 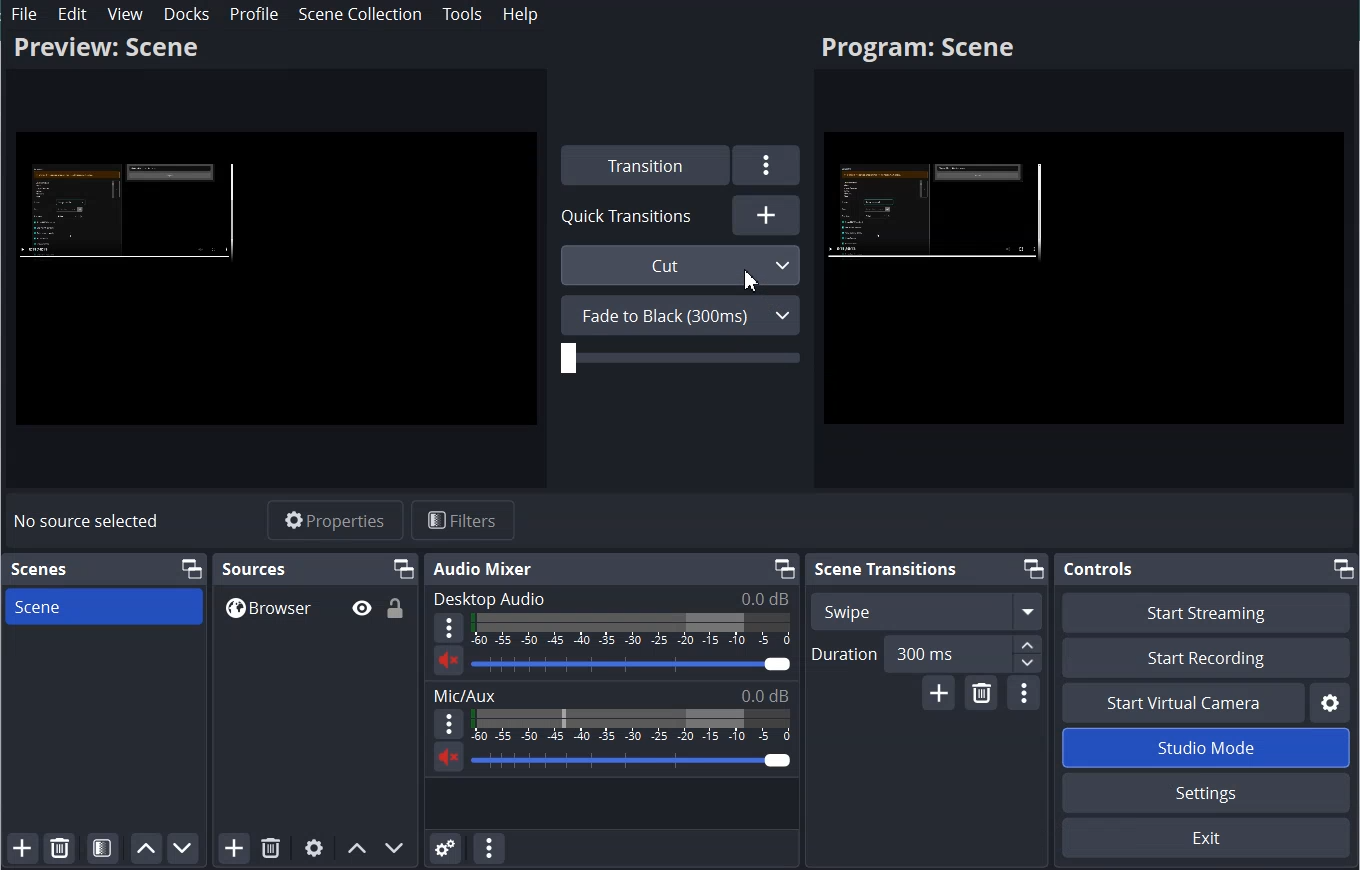 I want to click on Cut, so click(x=682, y=265).